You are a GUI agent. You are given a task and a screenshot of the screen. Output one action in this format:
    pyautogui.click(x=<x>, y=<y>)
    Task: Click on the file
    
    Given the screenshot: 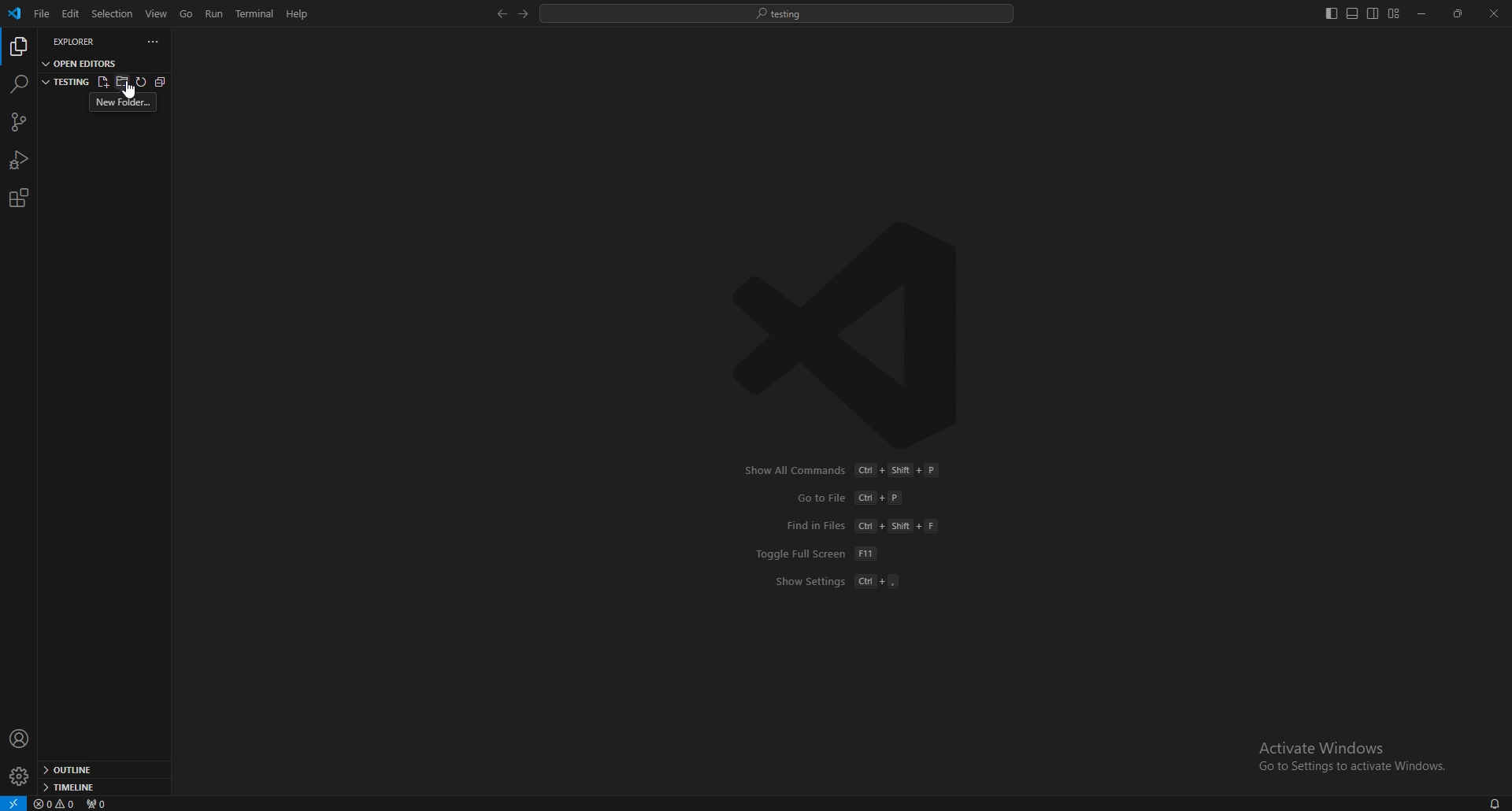 What is the action you would take?
    pyautogui.click(x=40, y=14)
    